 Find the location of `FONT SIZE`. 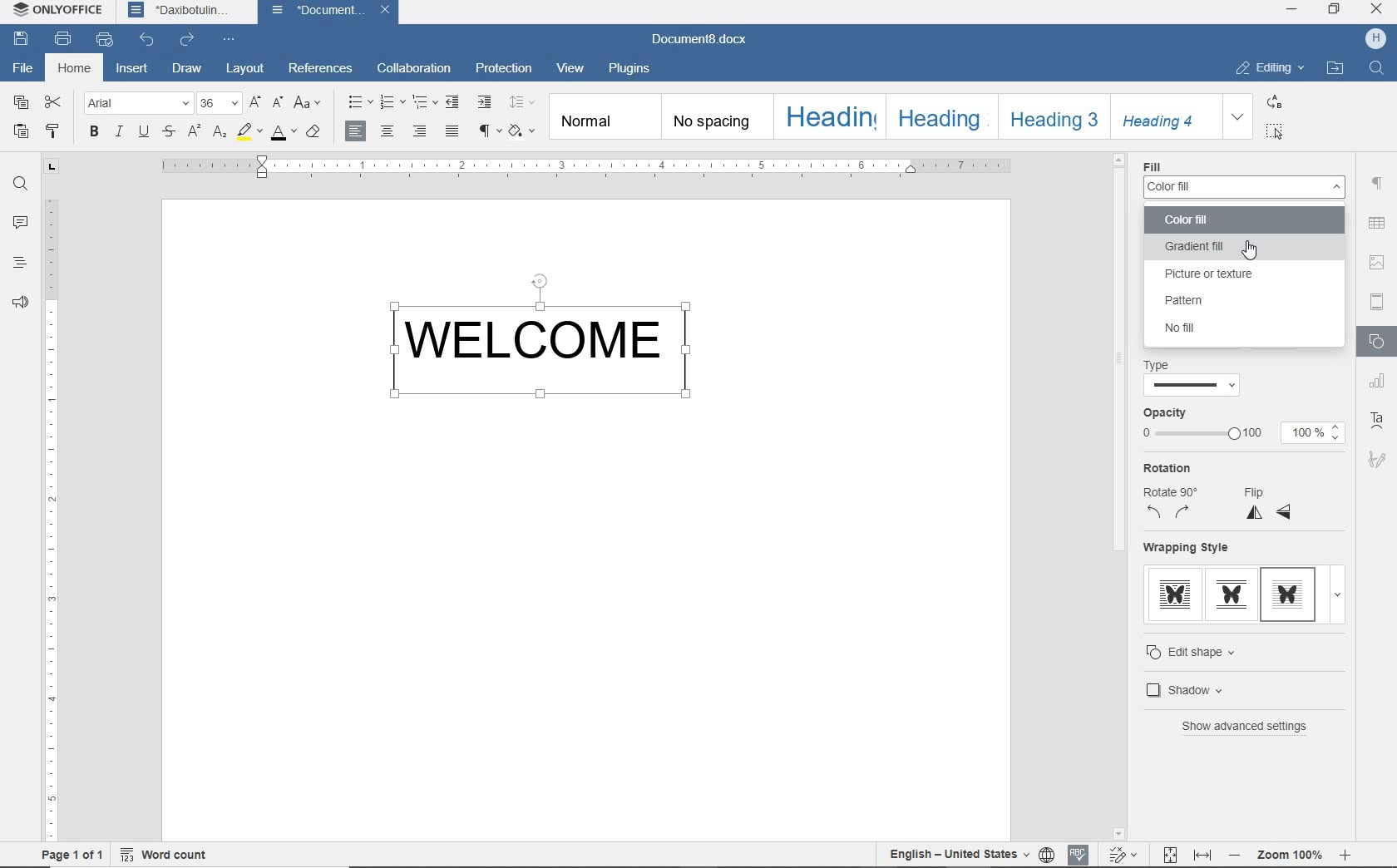

FONT SIZE is located at coordinates (218, 103).